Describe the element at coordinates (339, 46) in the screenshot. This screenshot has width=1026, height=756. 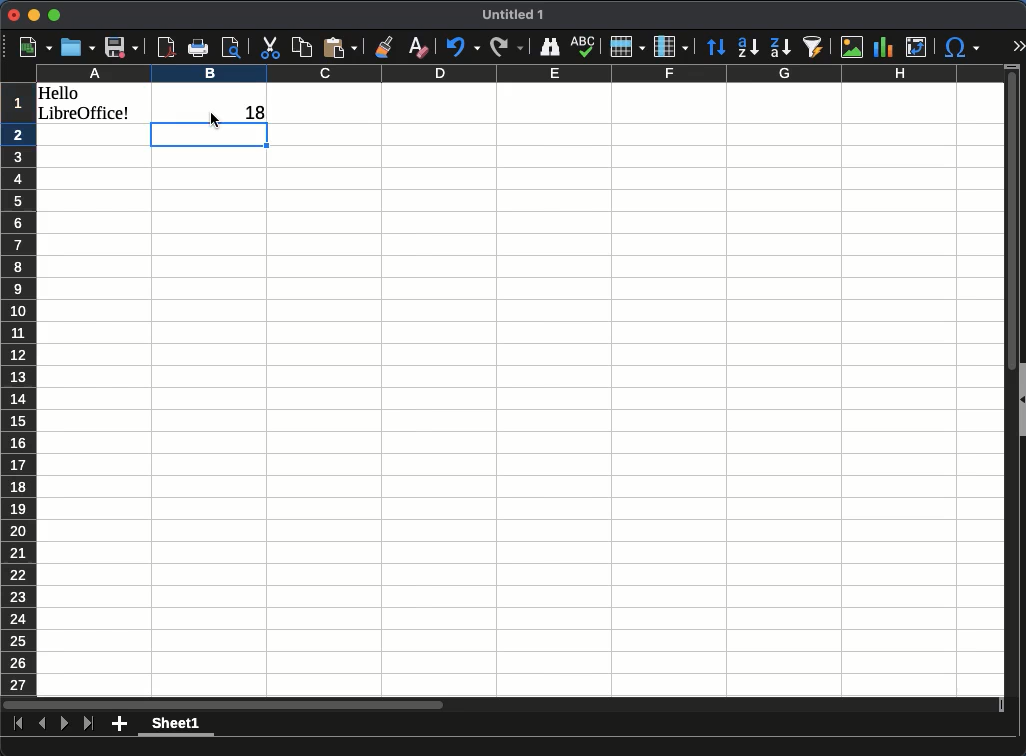
I see `paste` at that location.